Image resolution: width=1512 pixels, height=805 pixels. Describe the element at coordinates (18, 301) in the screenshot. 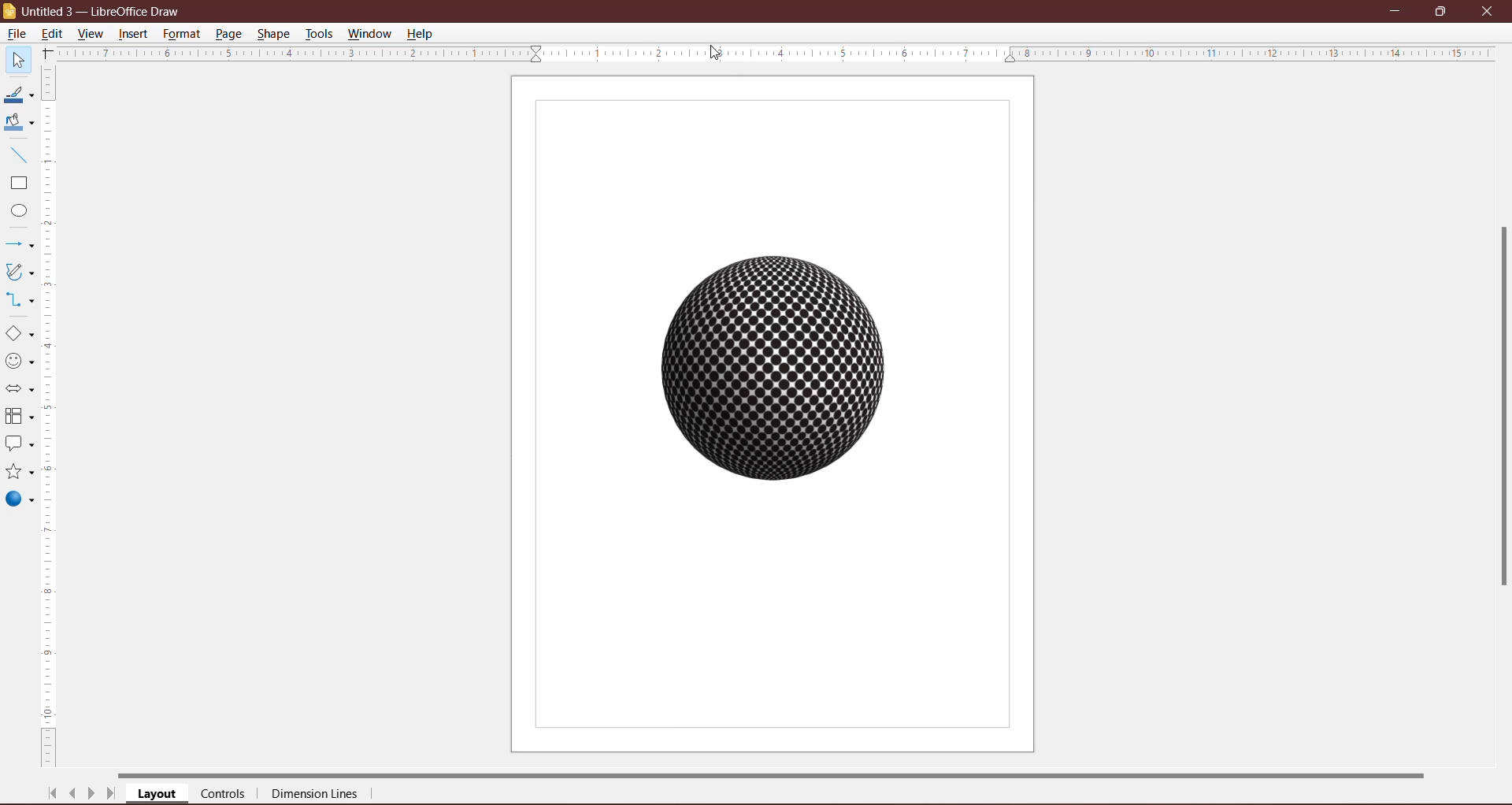

I see `Connectors` at that location.